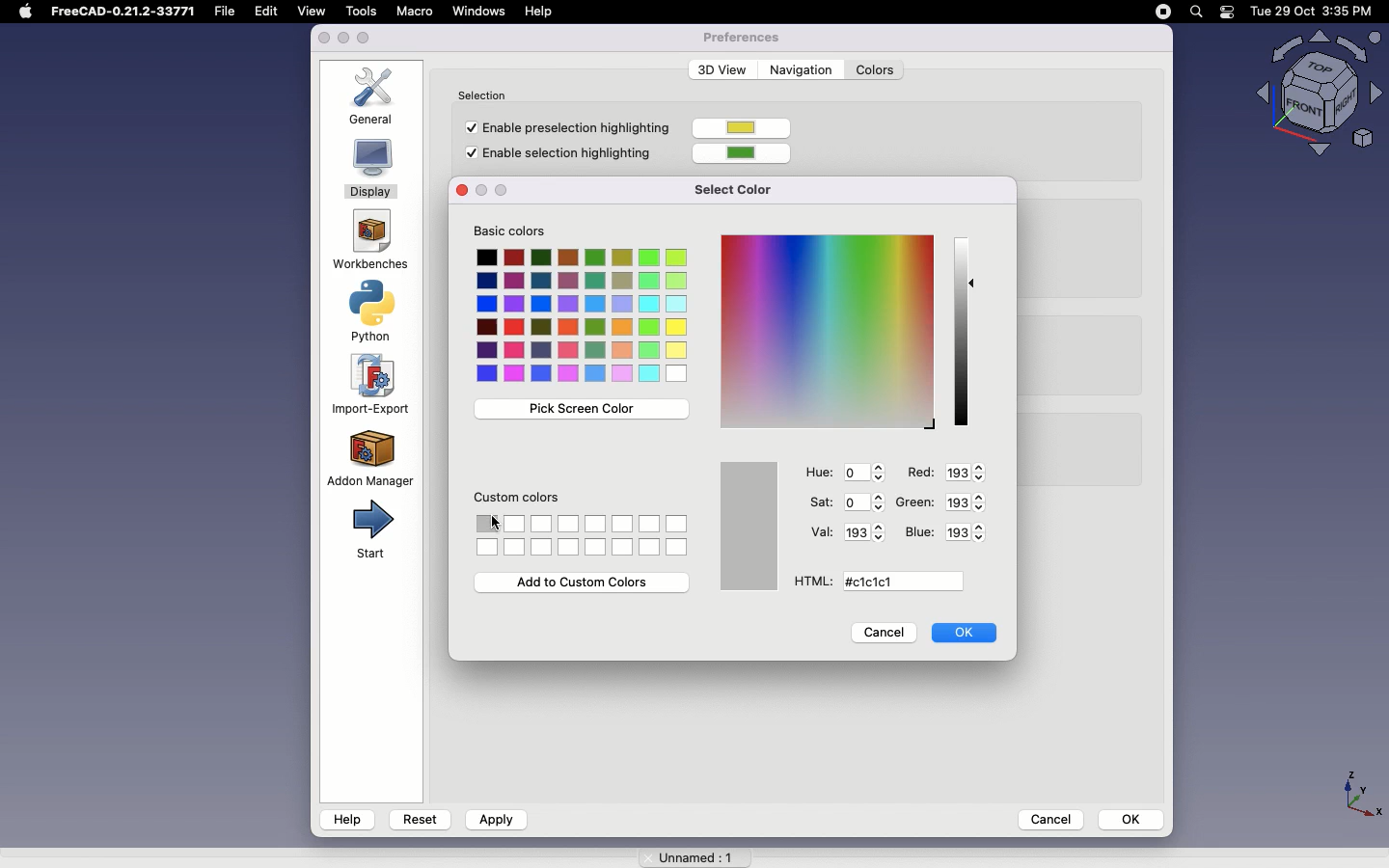  I want to click on color, so click(748, 151).